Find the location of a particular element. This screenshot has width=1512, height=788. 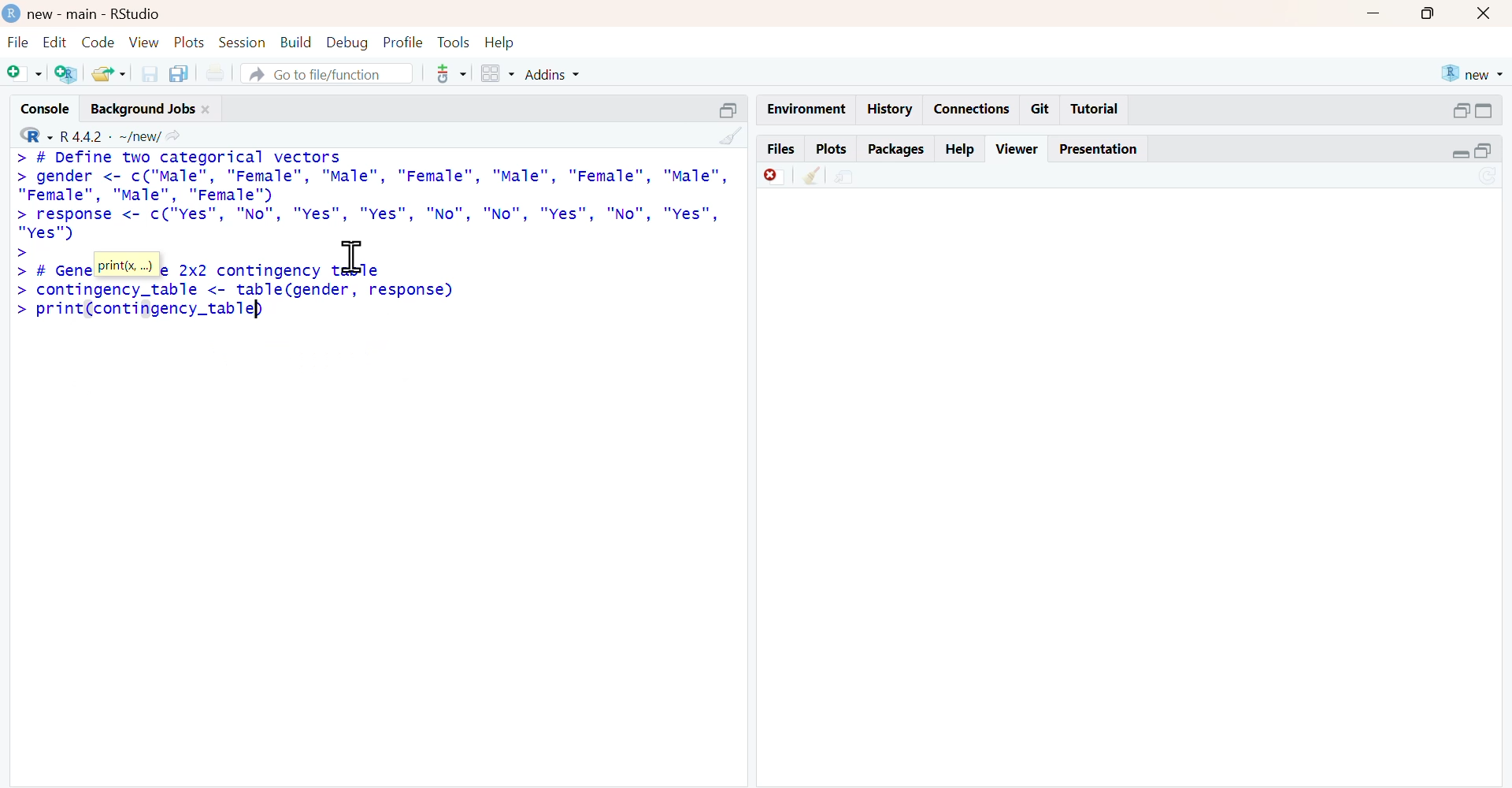

R 4.4.2 ~/new/ is located at coordinates (111, 137).